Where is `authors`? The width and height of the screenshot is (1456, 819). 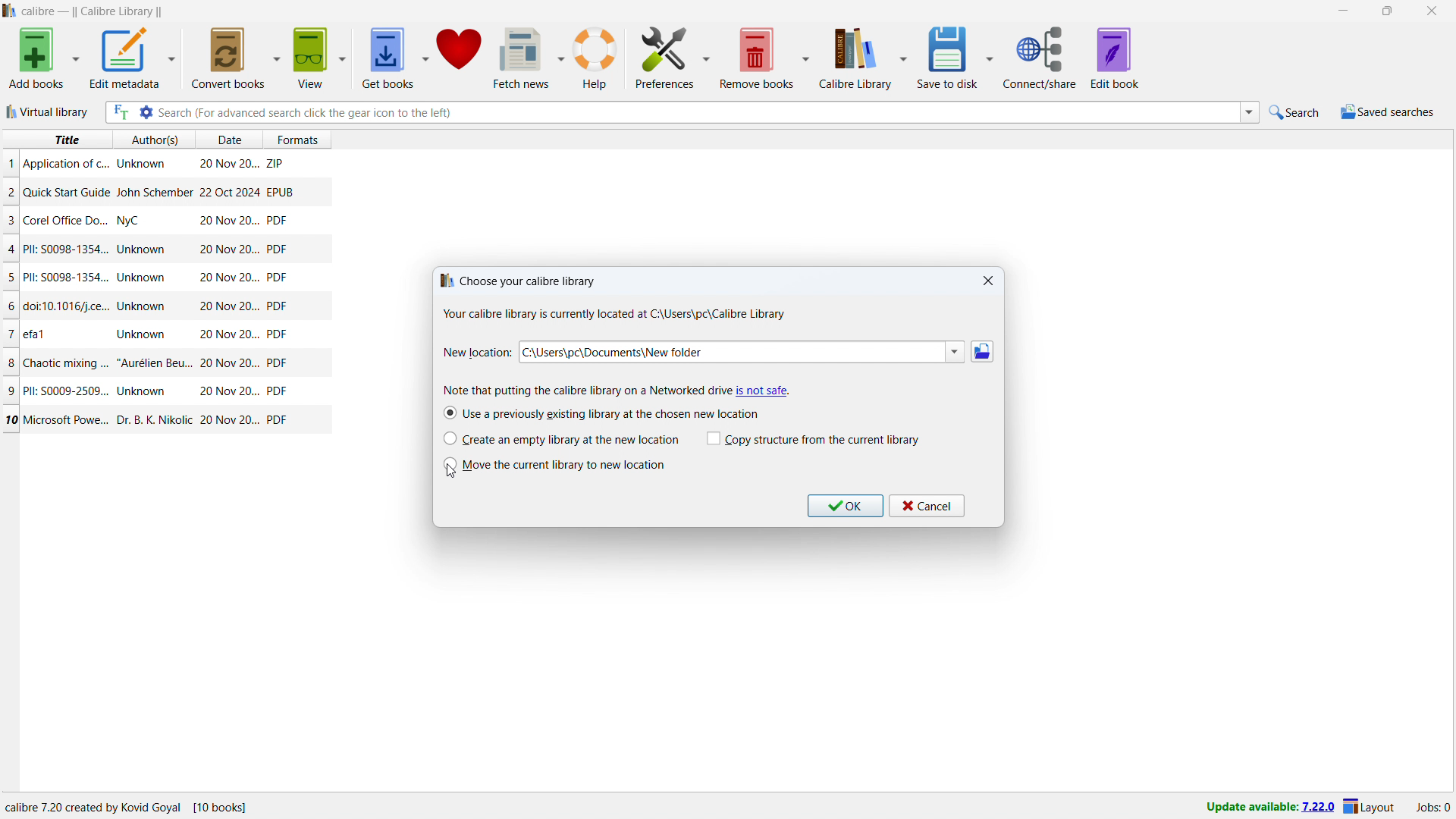
authors is located at coordinates (155, 140).